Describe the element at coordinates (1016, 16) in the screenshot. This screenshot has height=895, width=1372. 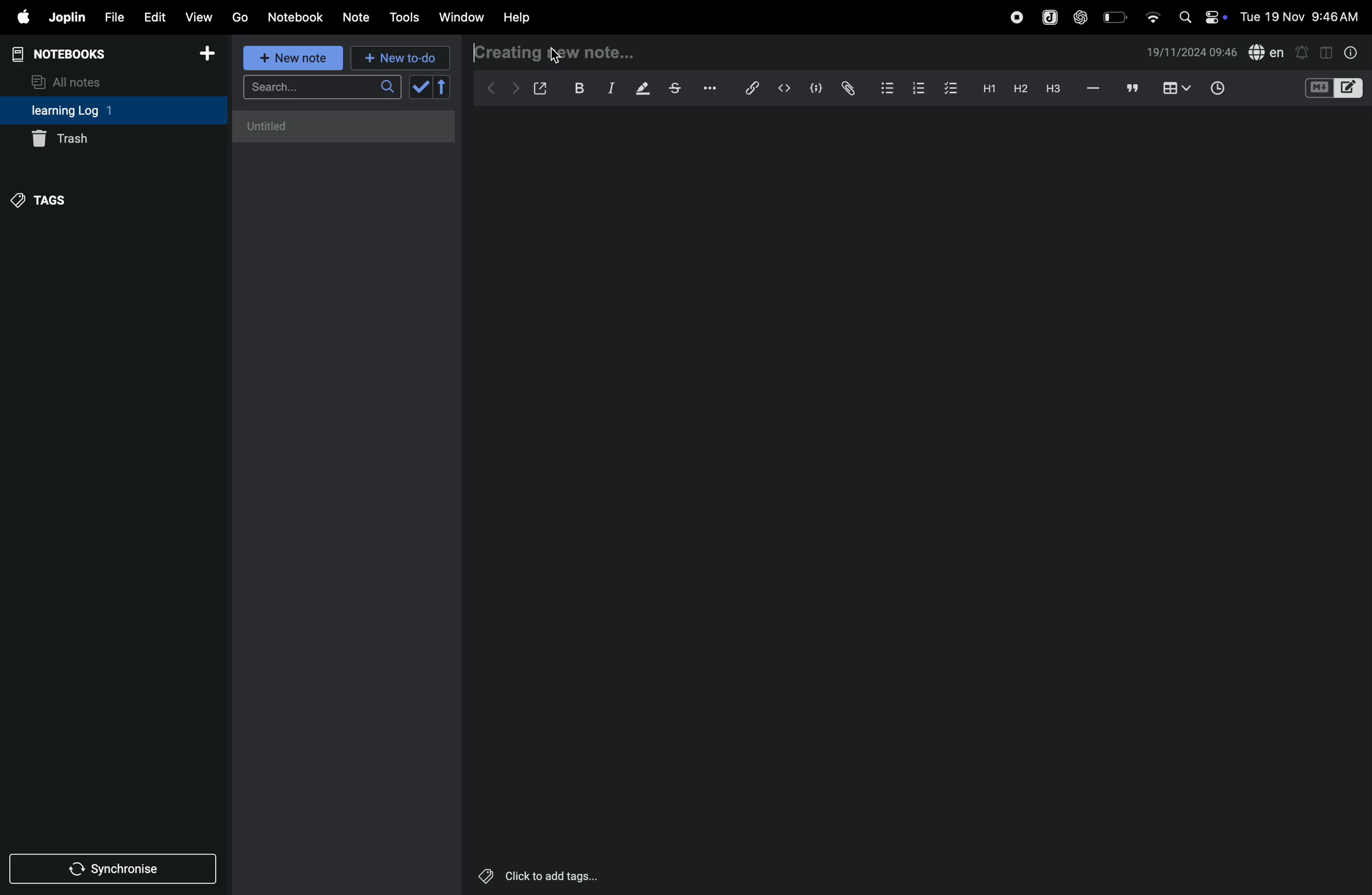
I see `record` at that location.